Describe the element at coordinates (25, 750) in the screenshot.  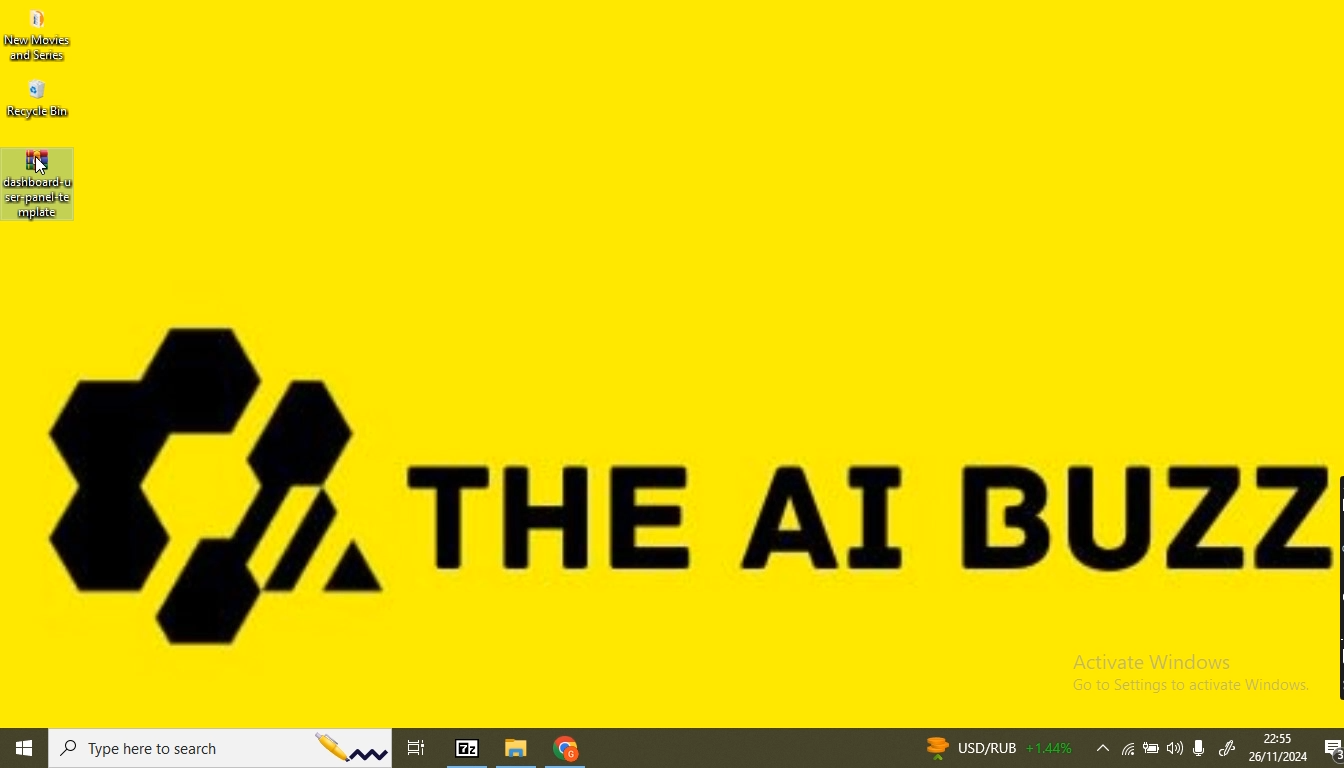
I see `windows` at that location.